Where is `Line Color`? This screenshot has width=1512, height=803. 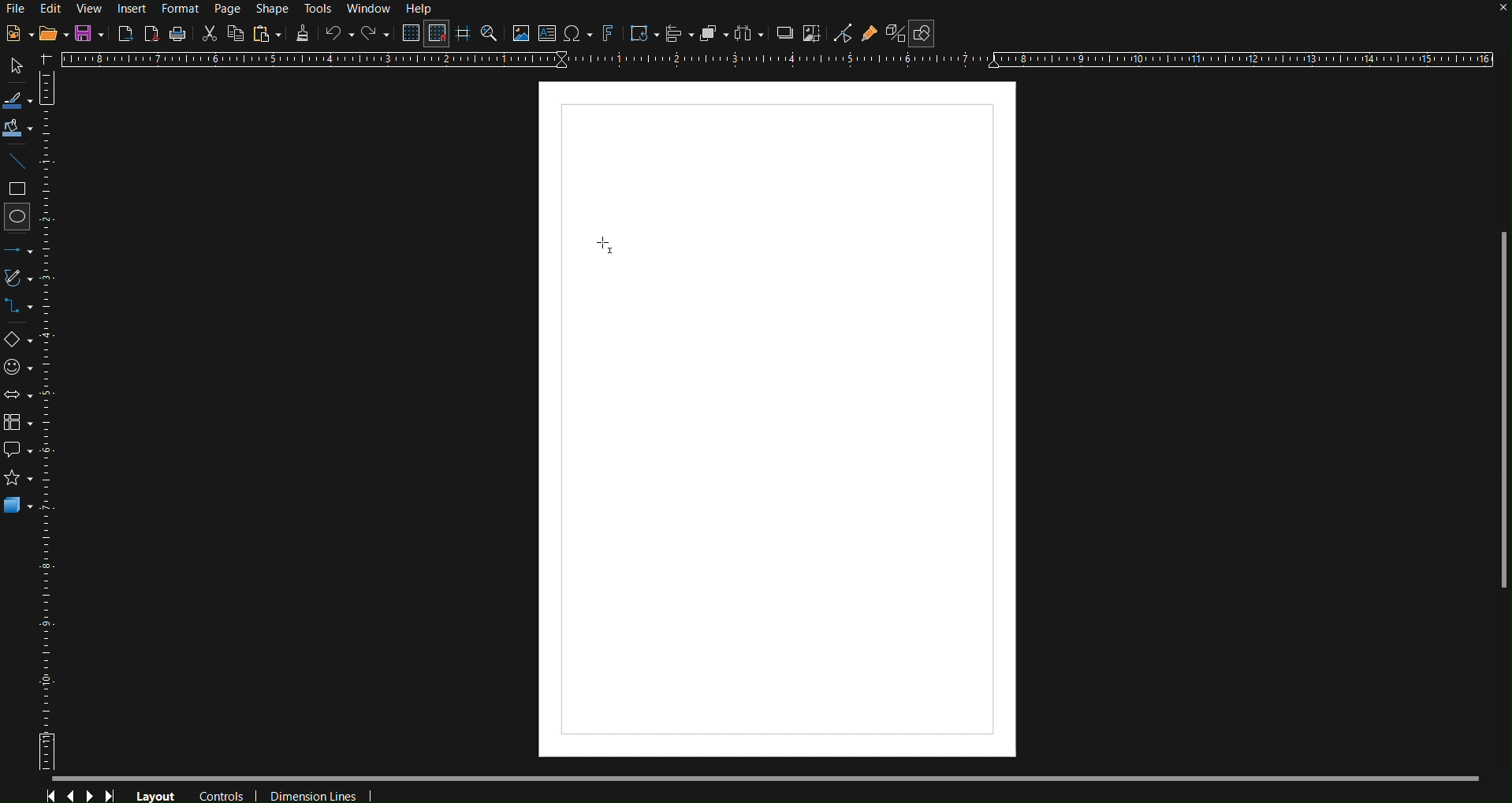
Line Color is located at coordinates (17, 99).